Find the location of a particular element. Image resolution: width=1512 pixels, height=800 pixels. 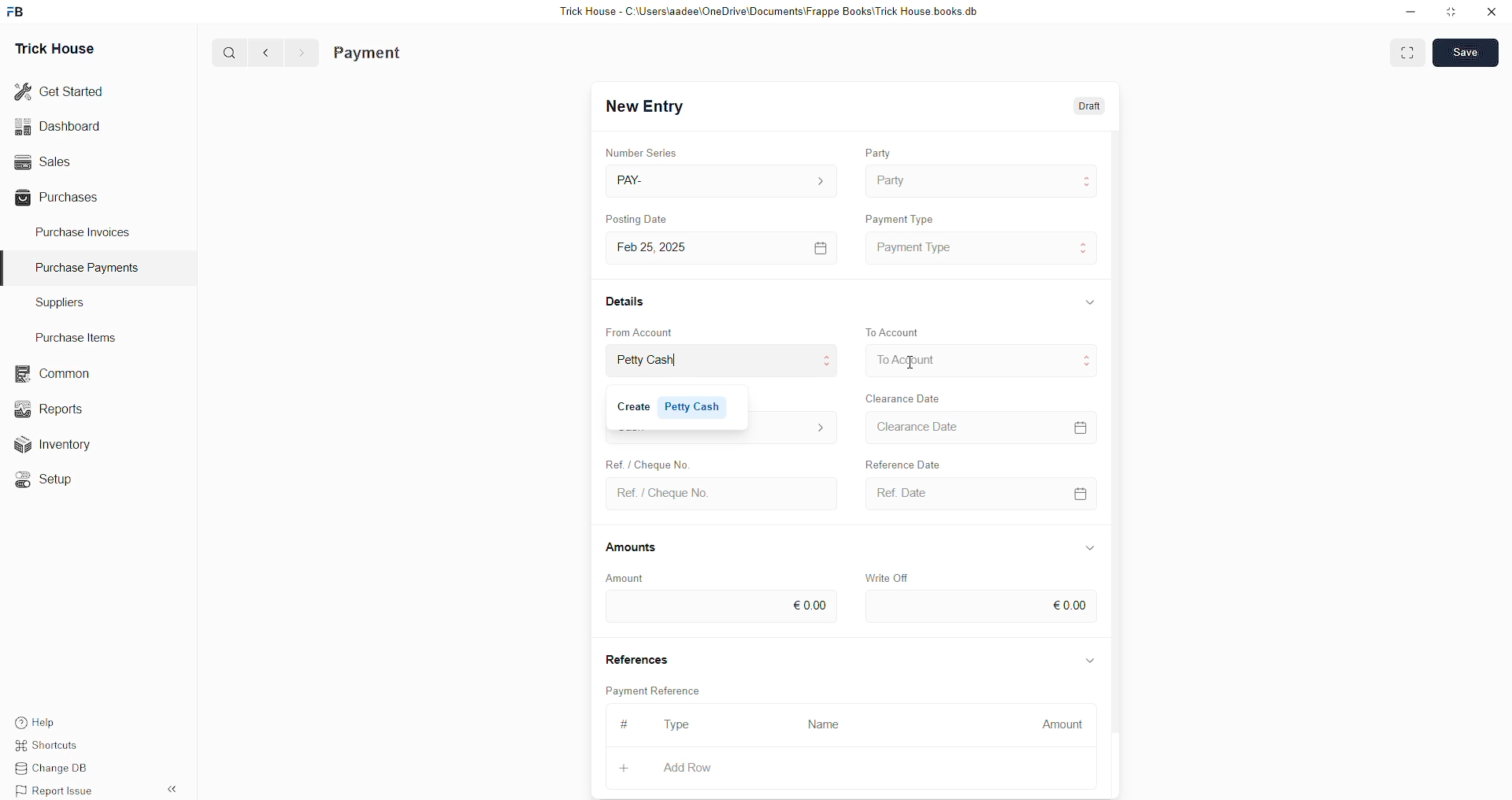

Write Off is located at coordinates (890, 576).